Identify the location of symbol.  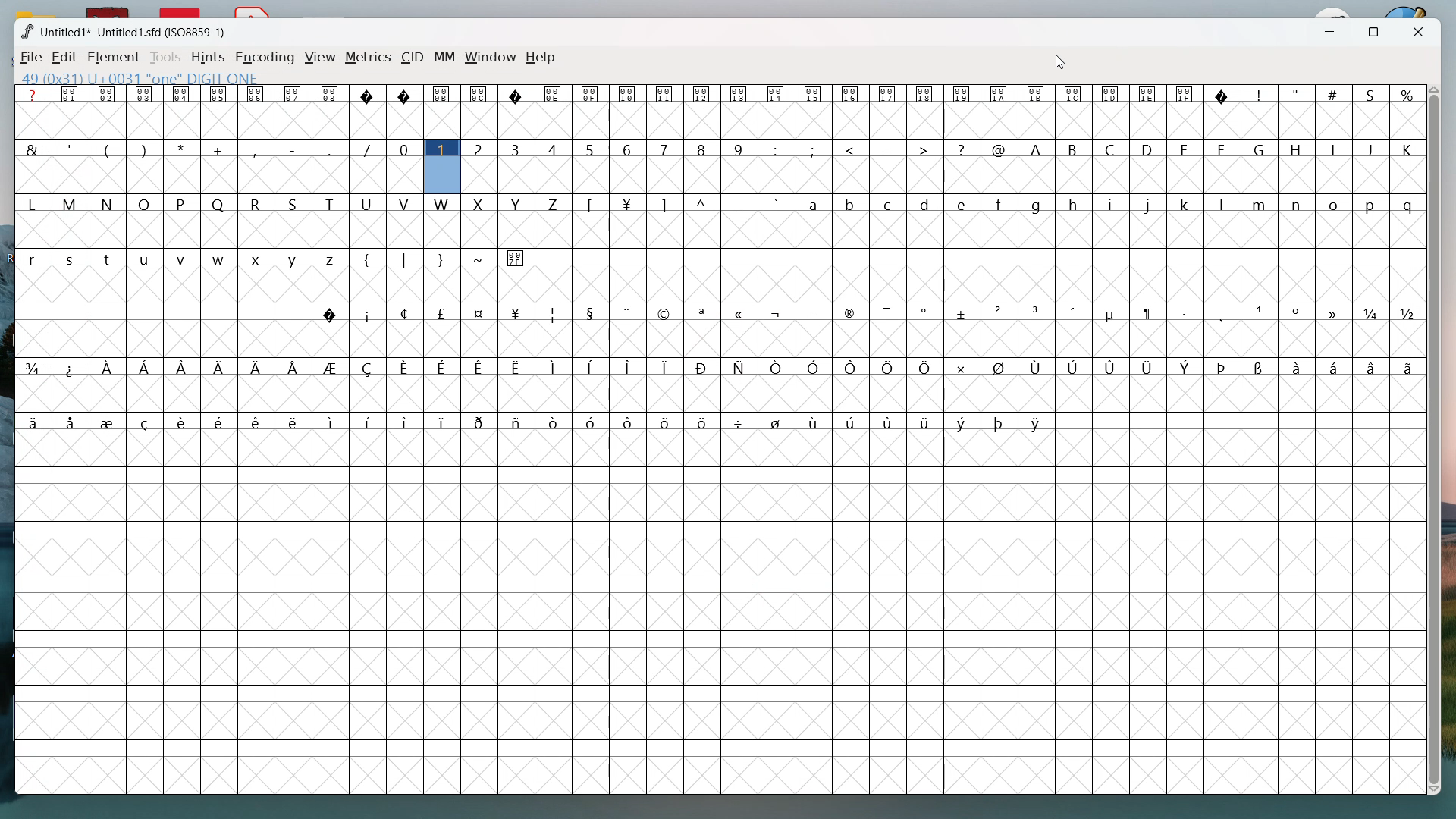
(218, 94).